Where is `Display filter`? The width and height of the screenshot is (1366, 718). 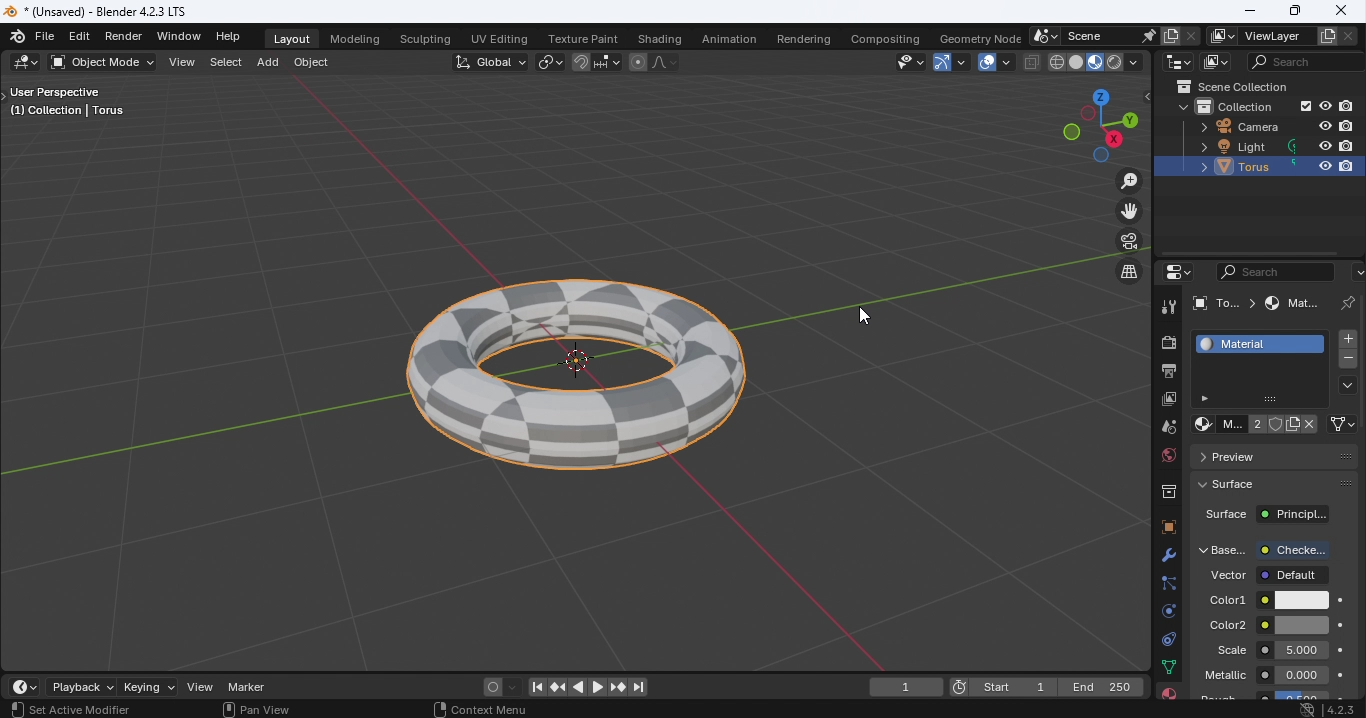
Display filter is located at coordinates (1306, 61).